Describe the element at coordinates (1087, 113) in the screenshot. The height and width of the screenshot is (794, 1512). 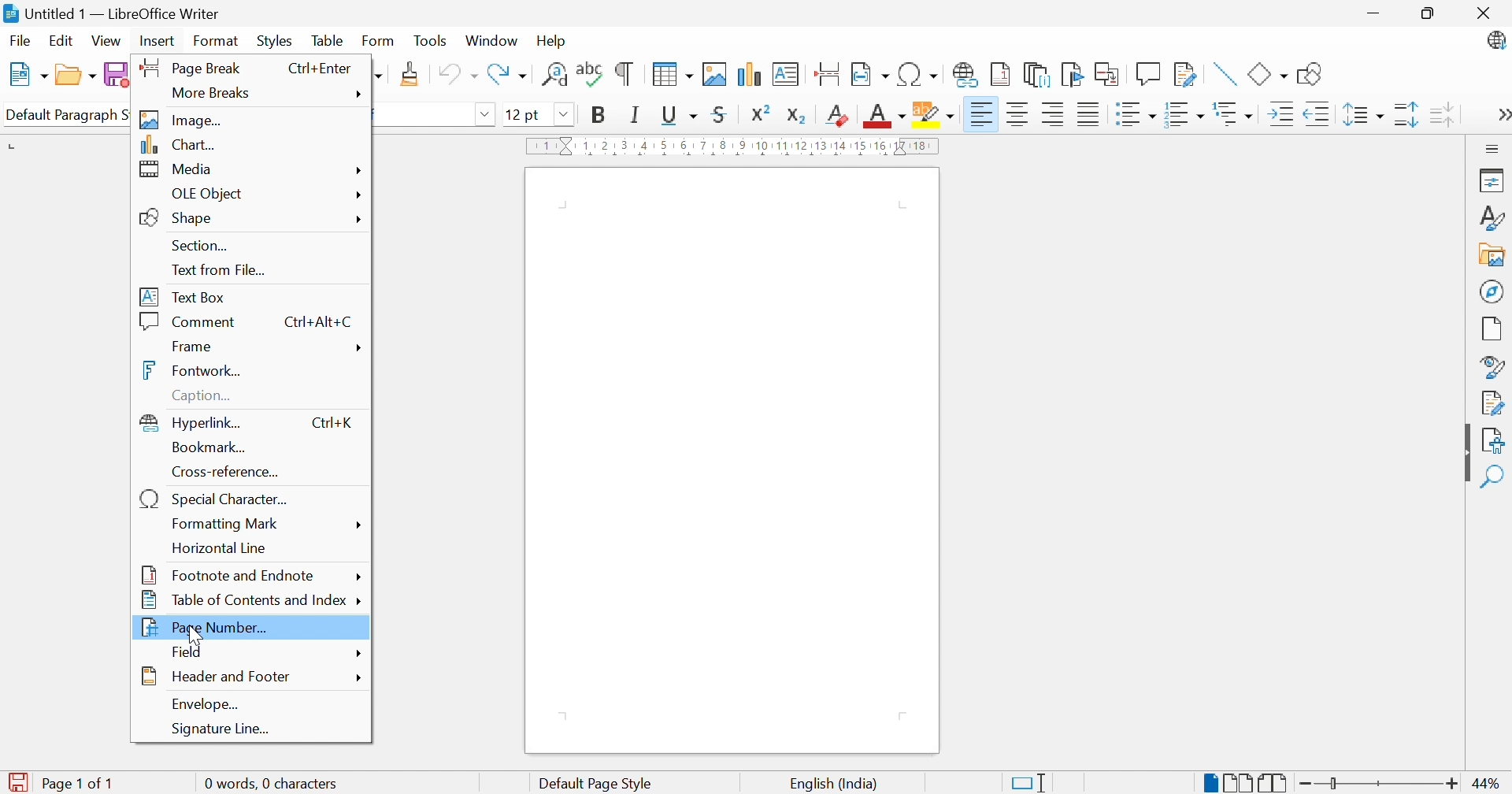
I see `Justified` at that location.